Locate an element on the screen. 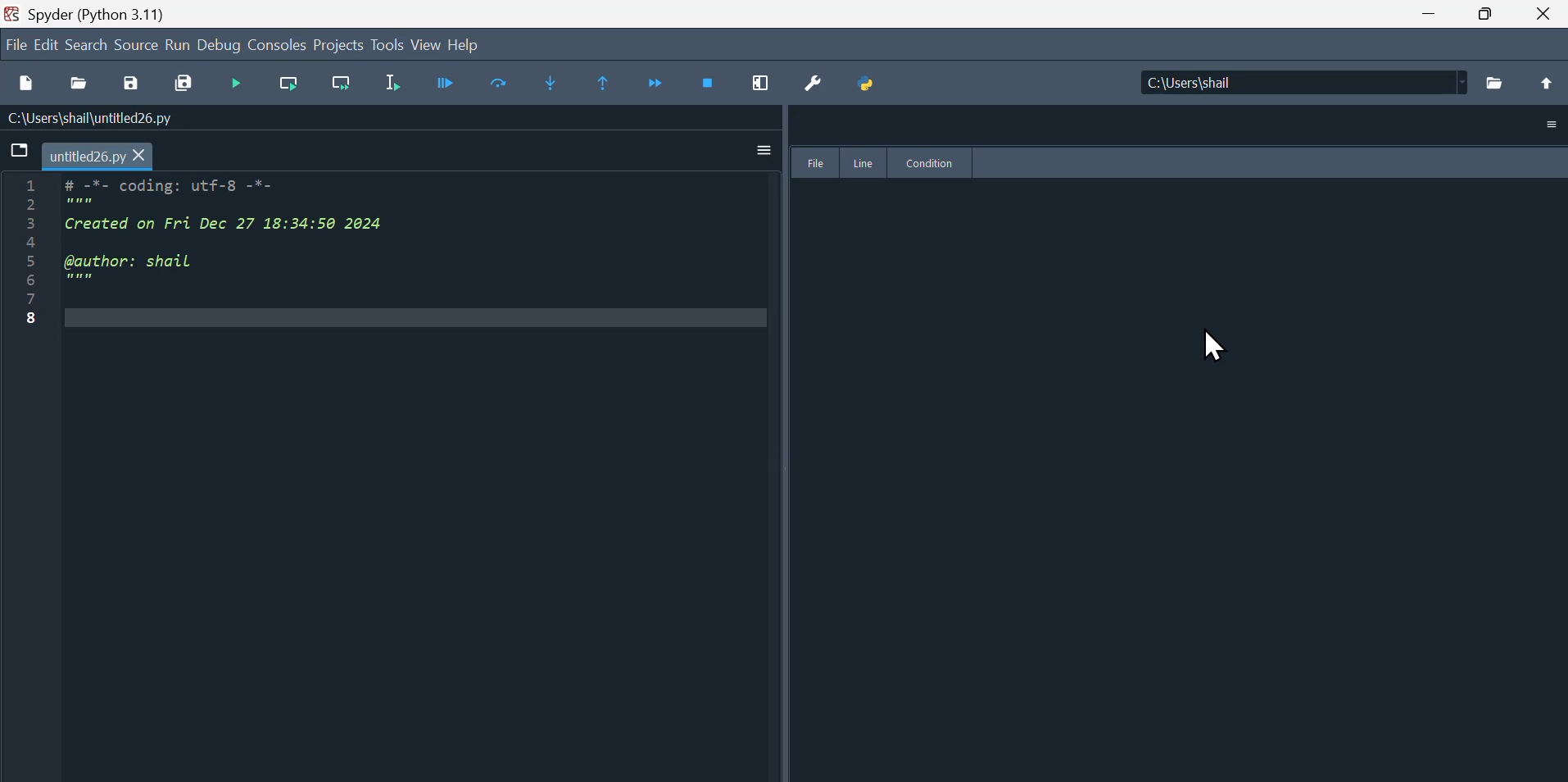 The width and height of the screenshot is (1568, 782). View is located at coordinates (424, 44).